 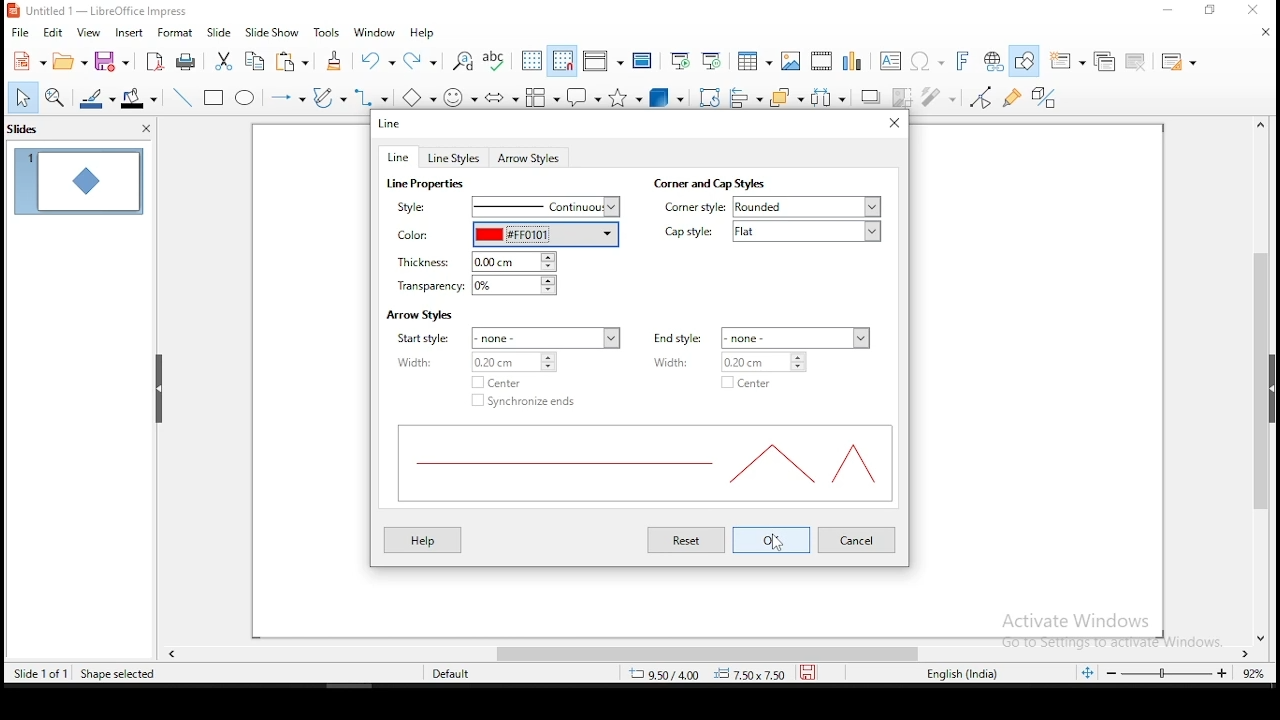 What do you see at coordinates (423, 34) in the screenshot?
I see `help` at bounding box center [423, 34].